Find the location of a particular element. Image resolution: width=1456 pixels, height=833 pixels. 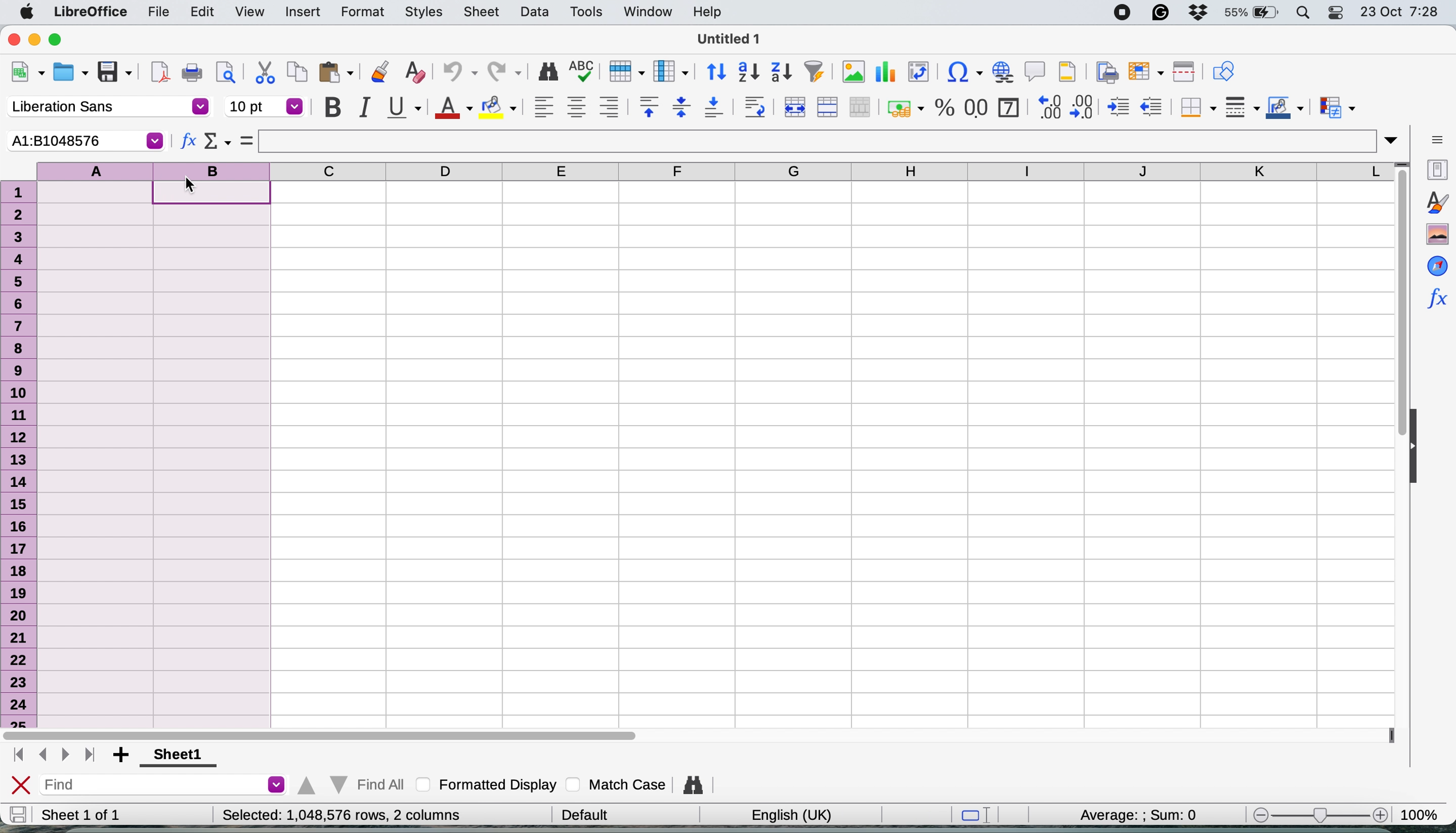

libreoffice is located at coordinates (92, 12).